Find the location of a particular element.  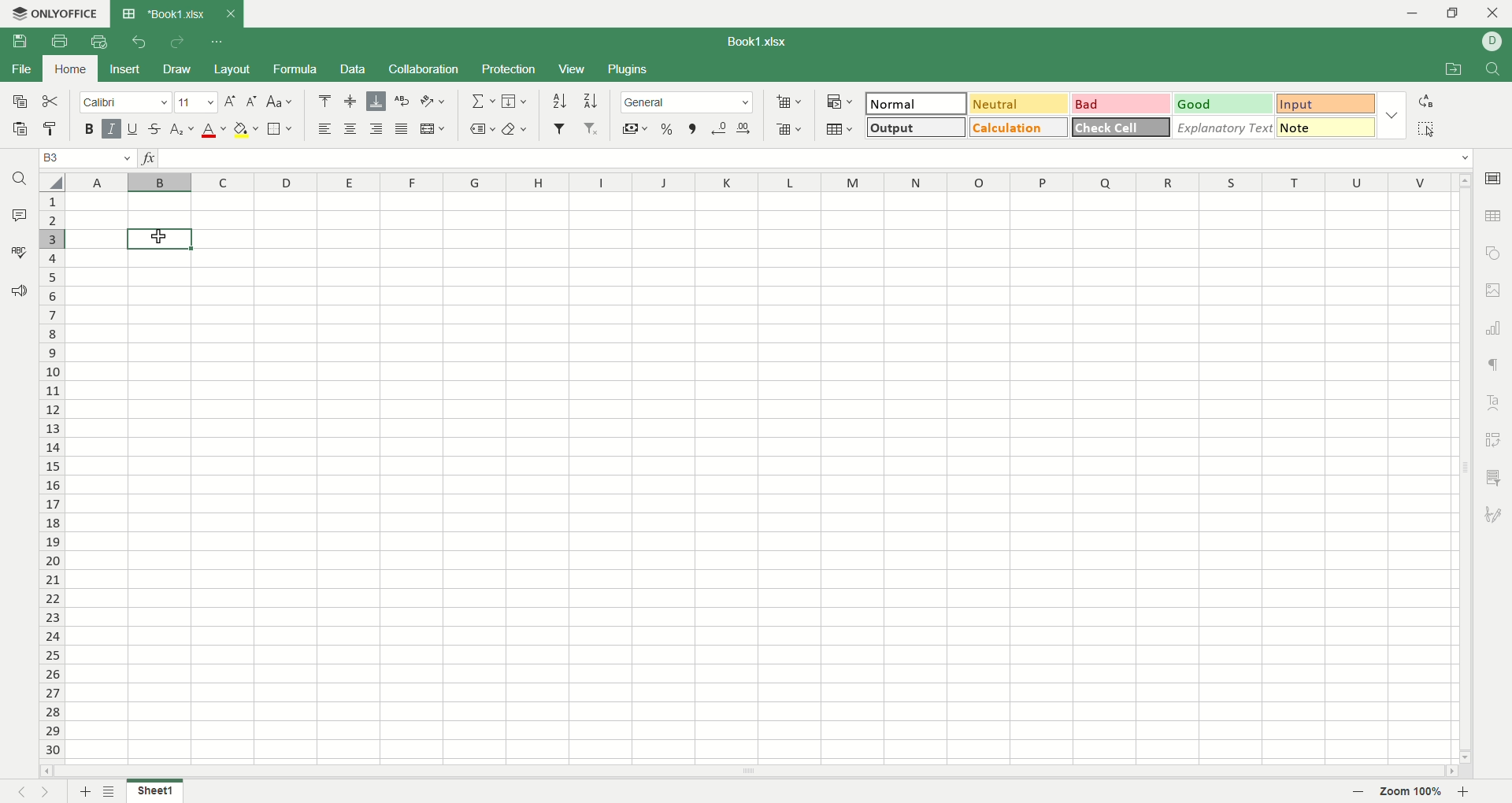

sort ascending is located at coordinates (561, 101).